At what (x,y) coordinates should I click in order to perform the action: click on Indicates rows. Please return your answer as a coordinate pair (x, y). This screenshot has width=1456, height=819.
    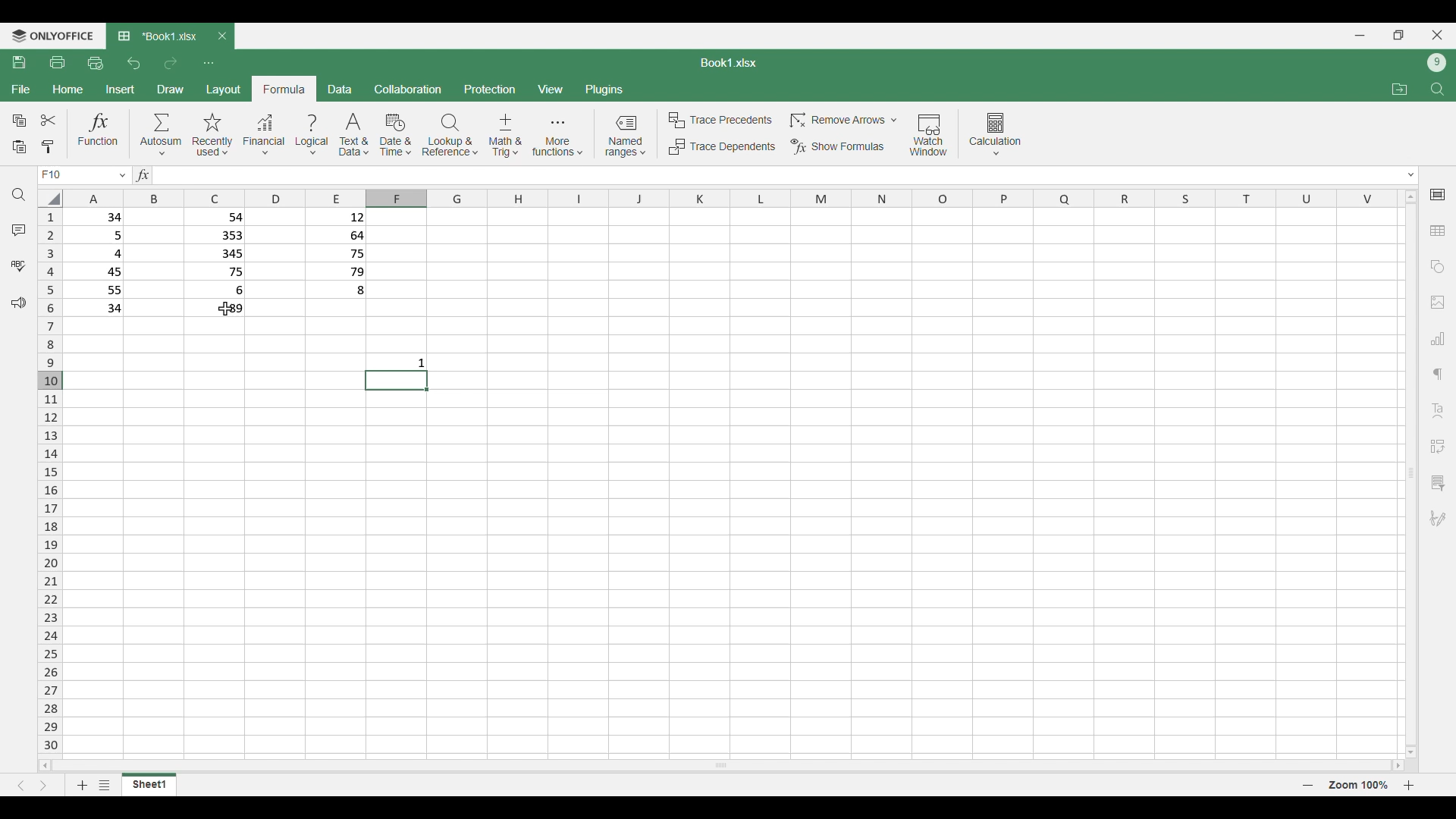
    Looking at the image, I should click on (50, 479).